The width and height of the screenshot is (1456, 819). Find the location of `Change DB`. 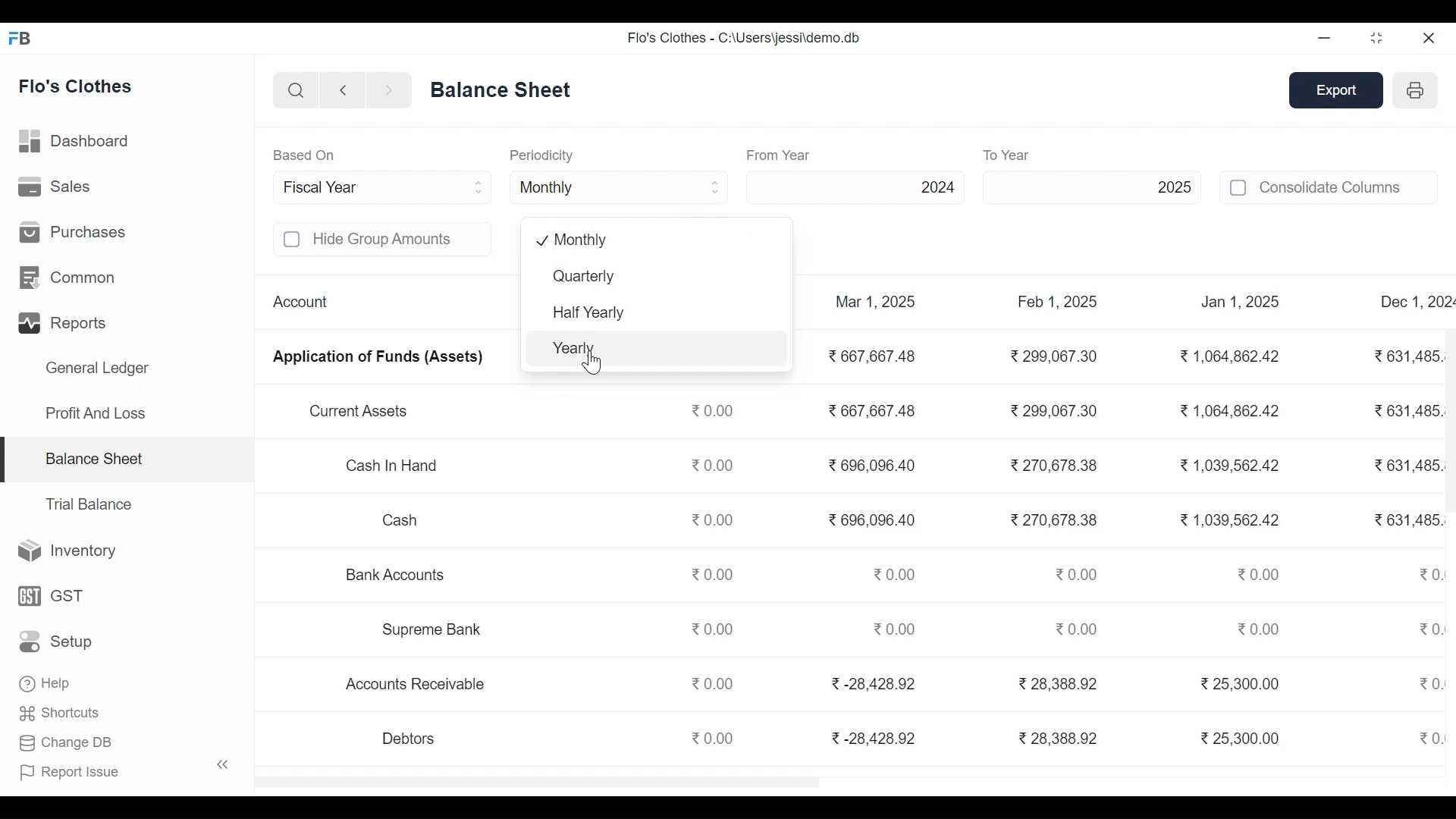

Change DB is located at coordinates (66, 741).